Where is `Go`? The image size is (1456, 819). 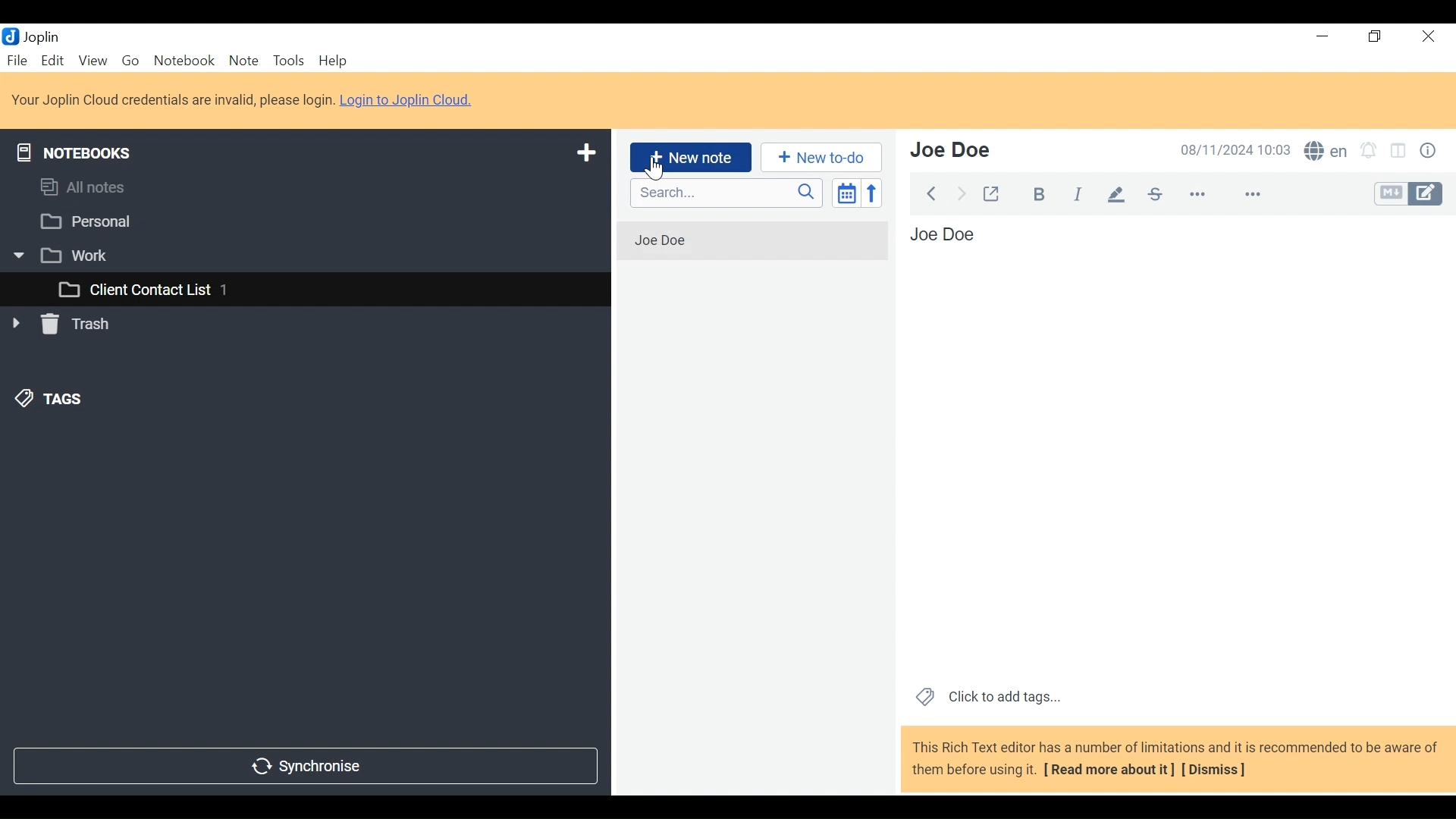
Go is located at coordinates (130, 61).